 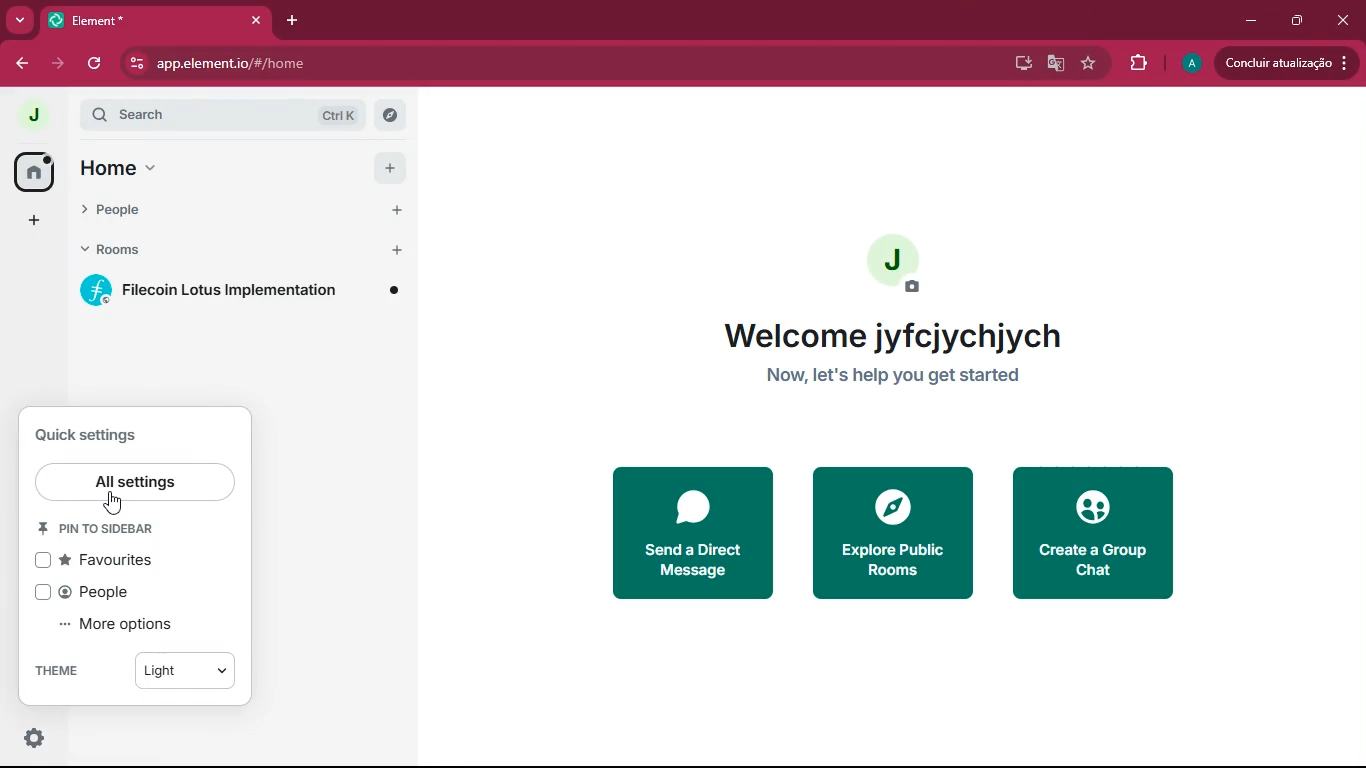 What do you see at coordinates (37, 741) in the screenshot?
I see `Settings` at bounding box center [37, 741].